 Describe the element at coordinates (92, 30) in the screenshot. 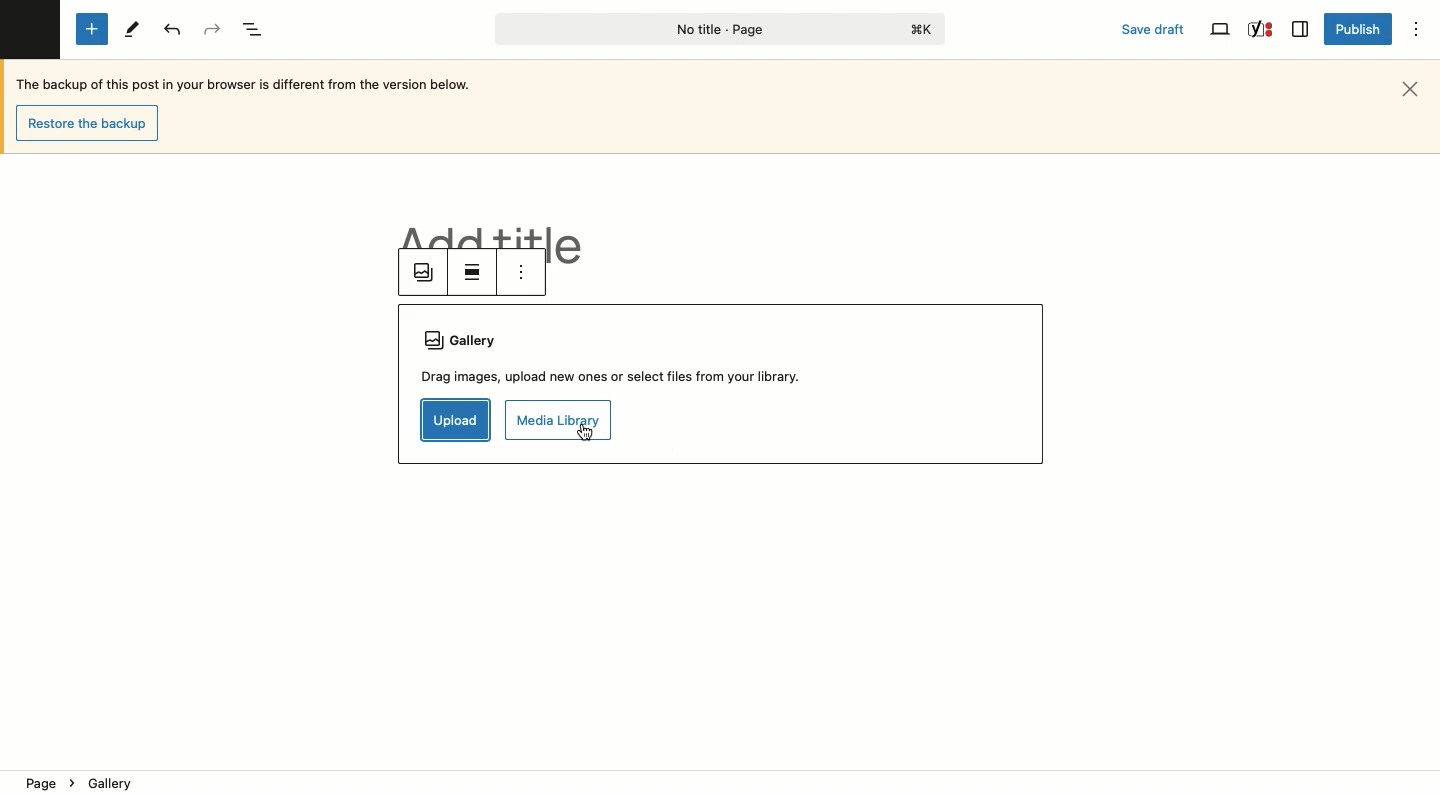

I see `Add new block` at that location.